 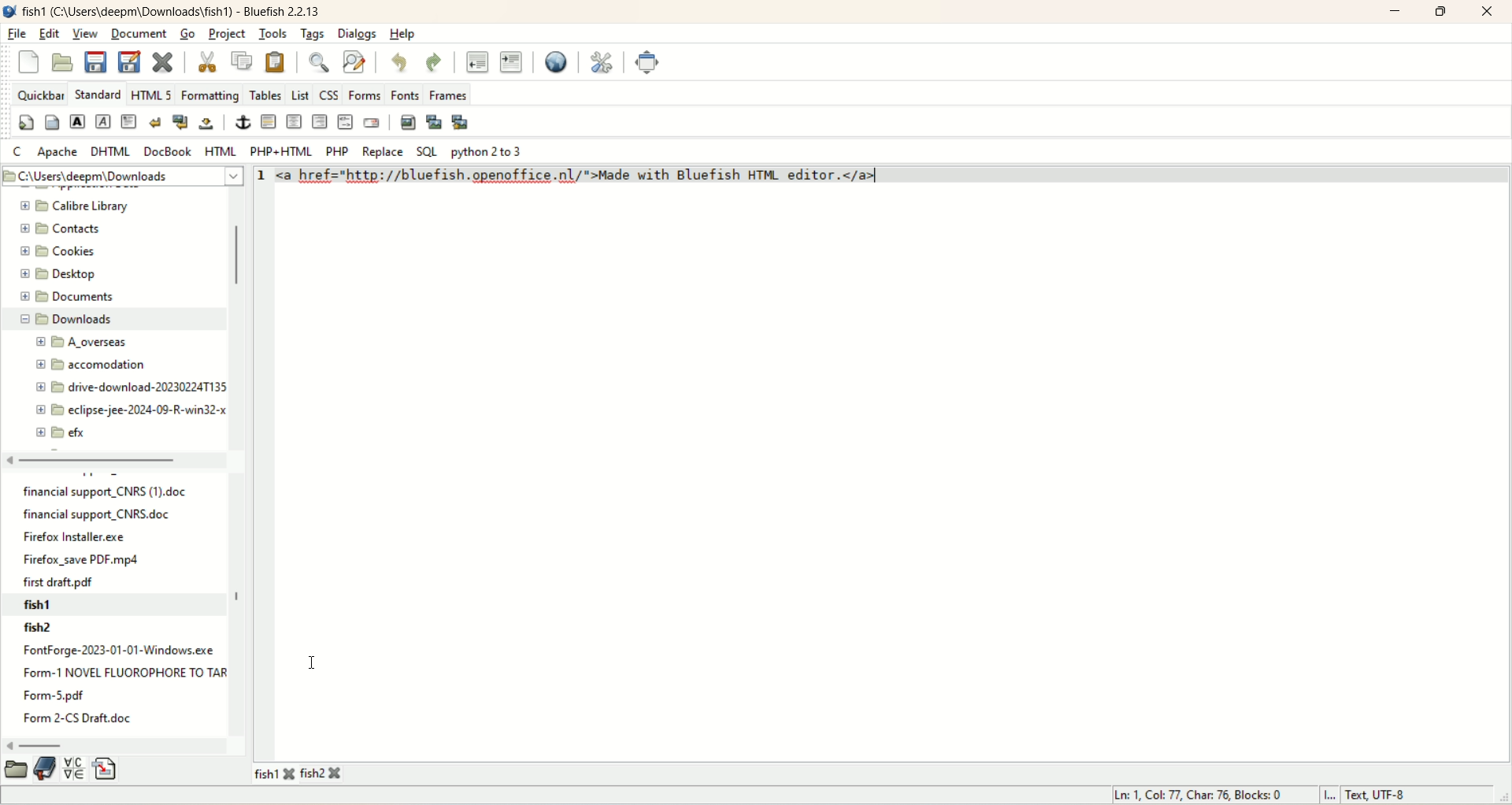 I want to click on dialogs, so click(x=358, y=35).